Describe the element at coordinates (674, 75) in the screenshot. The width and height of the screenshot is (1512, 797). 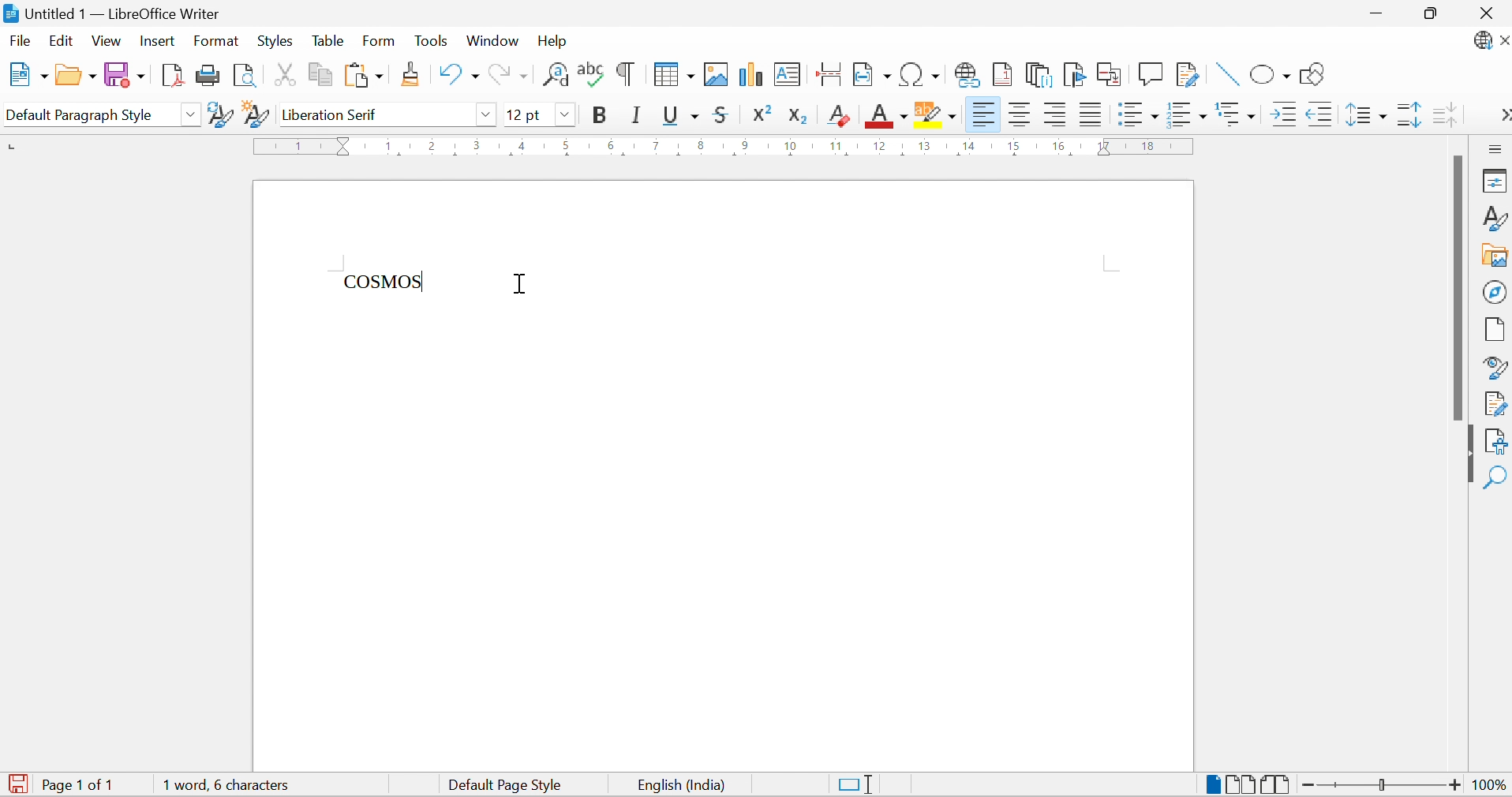
I see `Insert Table` at that location.